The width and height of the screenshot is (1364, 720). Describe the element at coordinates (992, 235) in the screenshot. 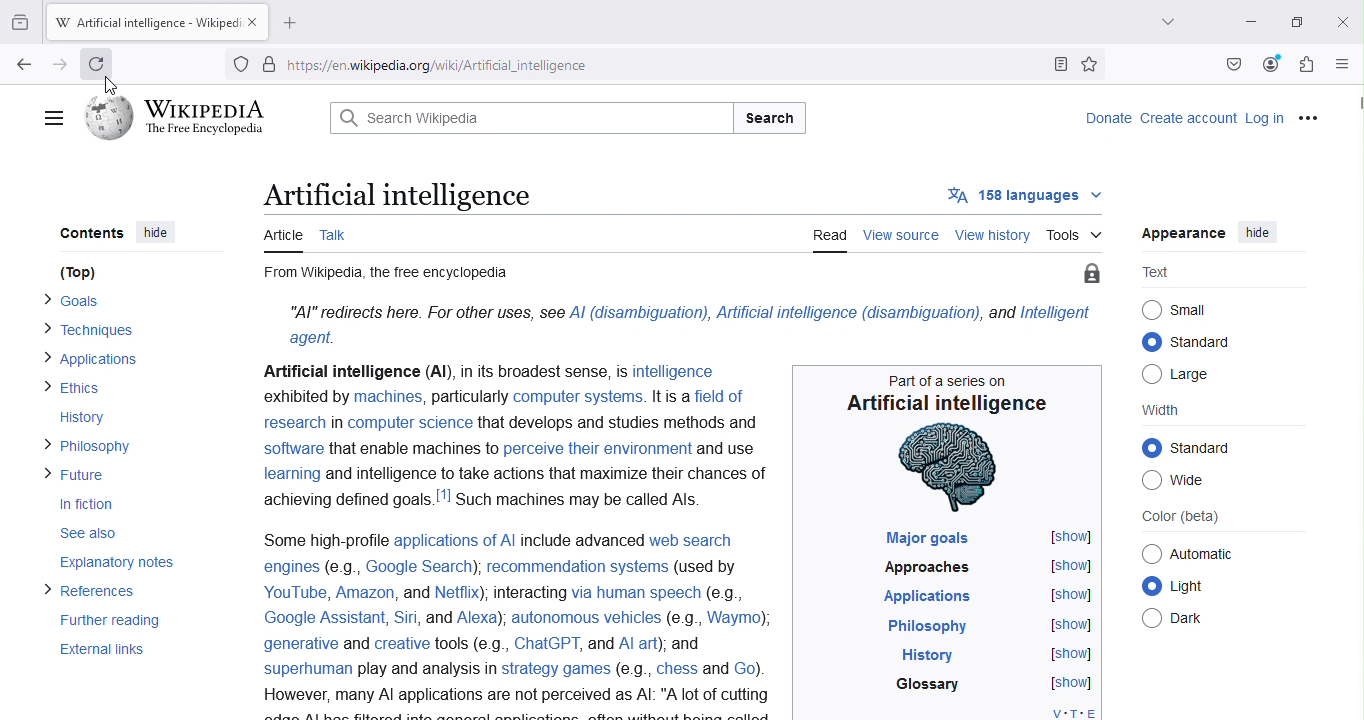

I see `View history` at that location.